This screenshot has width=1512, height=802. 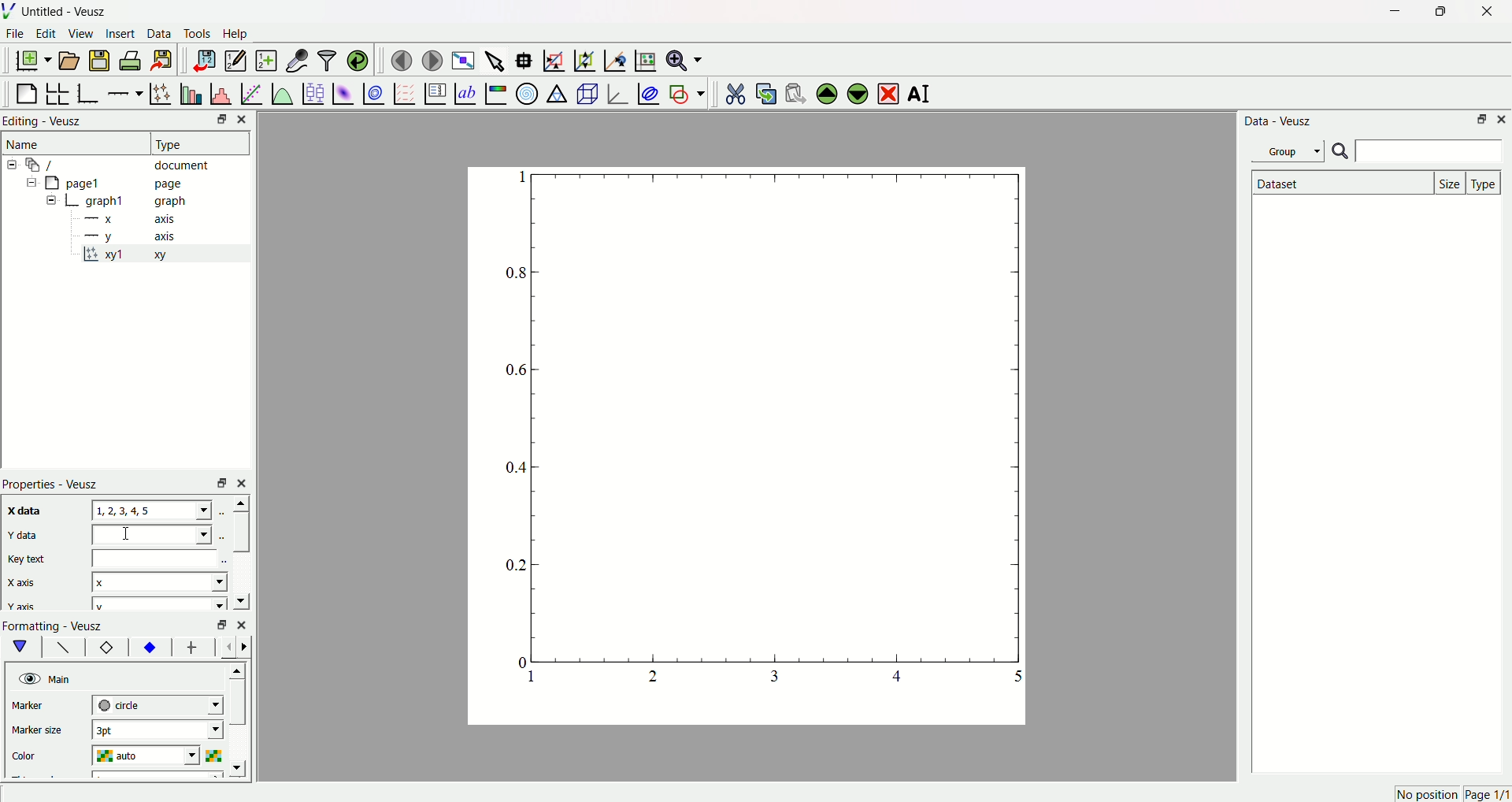 What do you see at coordinates (921, 95) in the screenshot?
I see `rename the widgets` at bounding box center [921, 95].